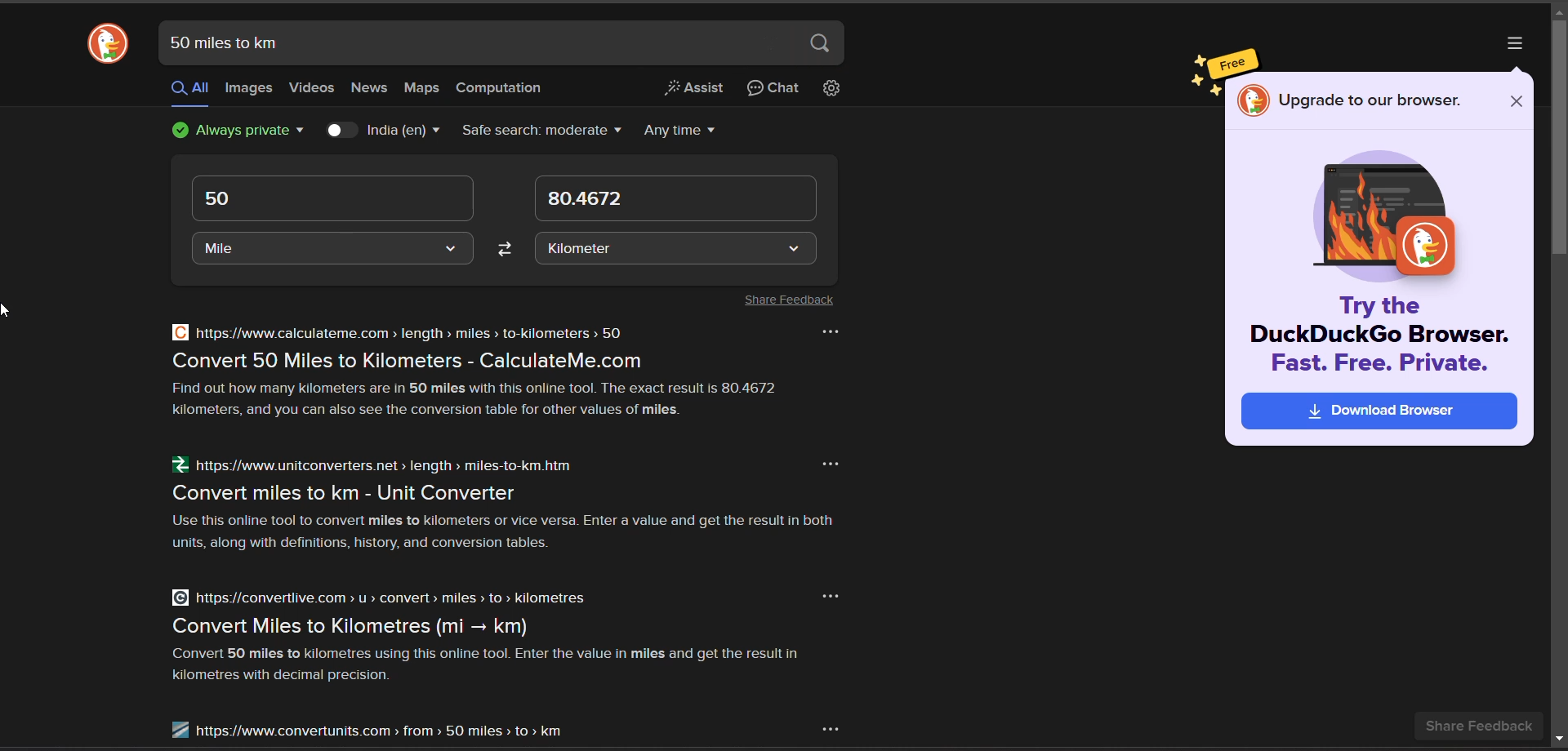 Image resolution: width=1568 pixels, height=751 pixels. I want to click on Upgrade to our browser., so click(1370, 102).